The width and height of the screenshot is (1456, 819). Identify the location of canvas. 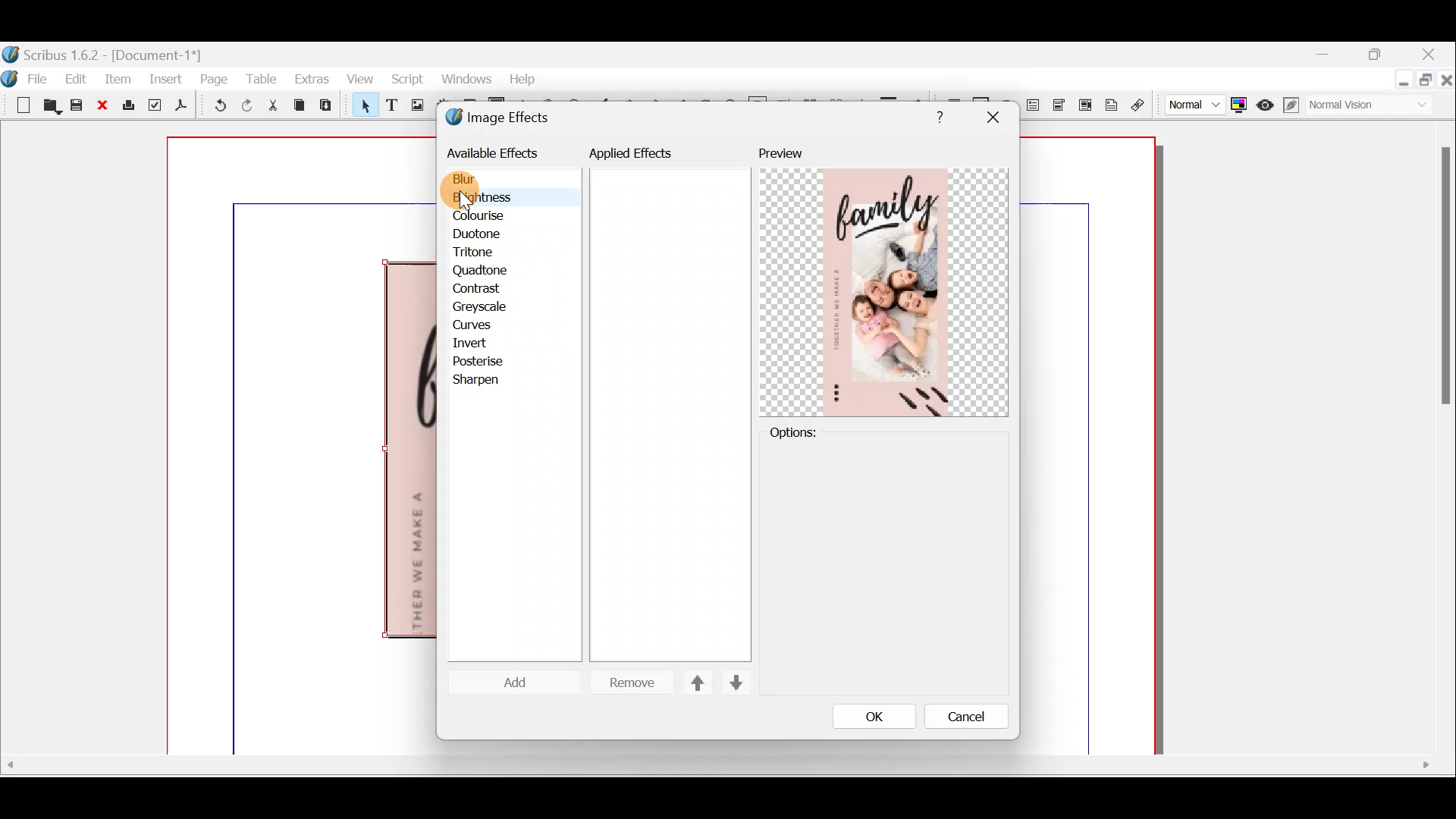
(1089, 447).